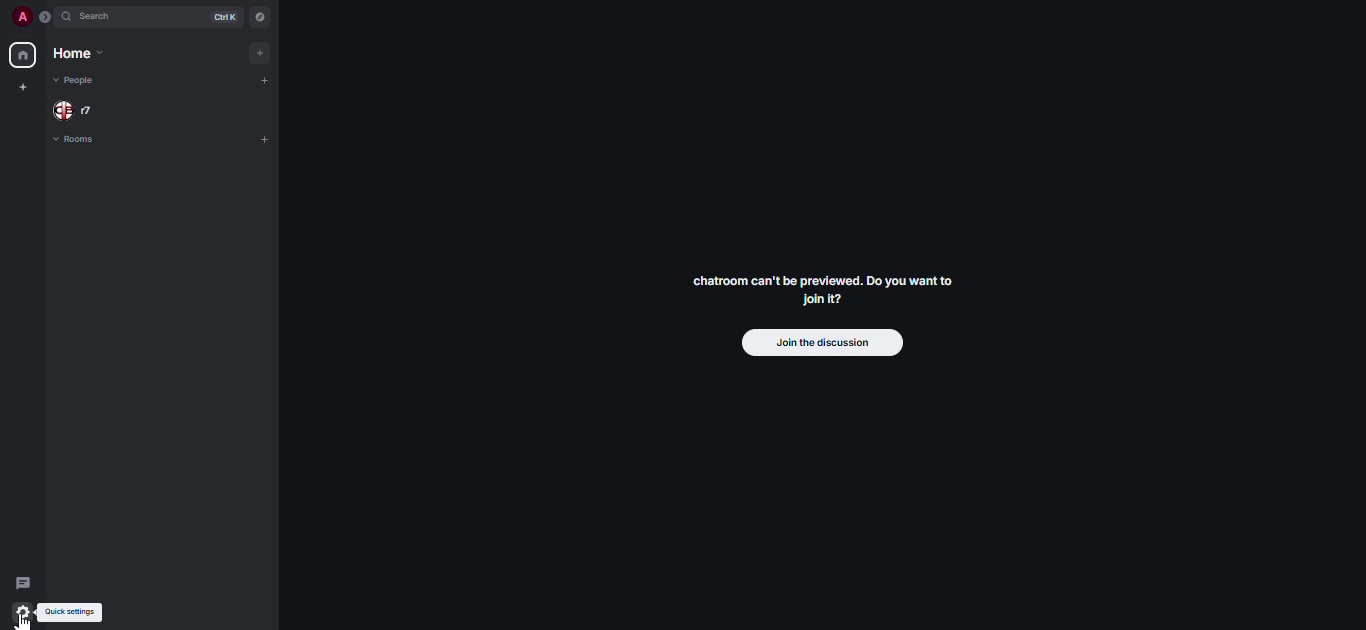  What do you see at coordinates (262, 139) in the screenshot?
I see `add` at bounding box center [262, 139].